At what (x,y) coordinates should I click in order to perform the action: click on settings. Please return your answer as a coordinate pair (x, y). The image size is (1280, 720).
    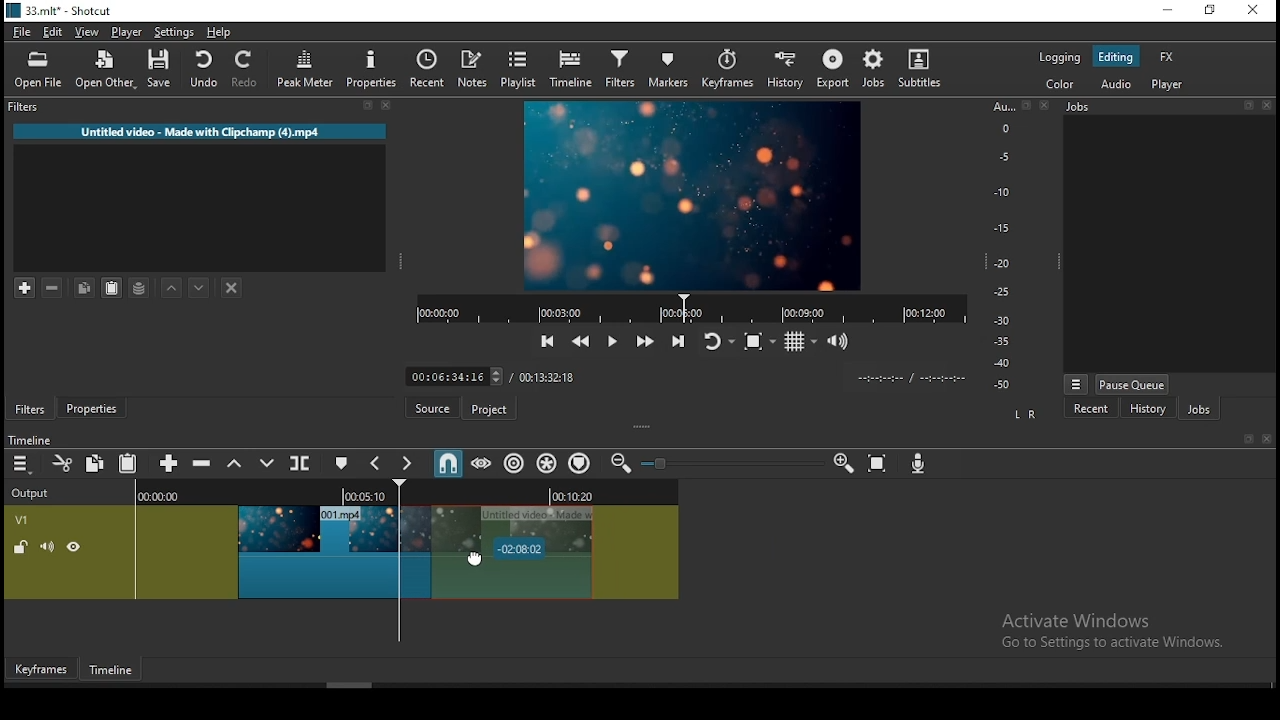
    Looking at the image, I should click on (175, 35).